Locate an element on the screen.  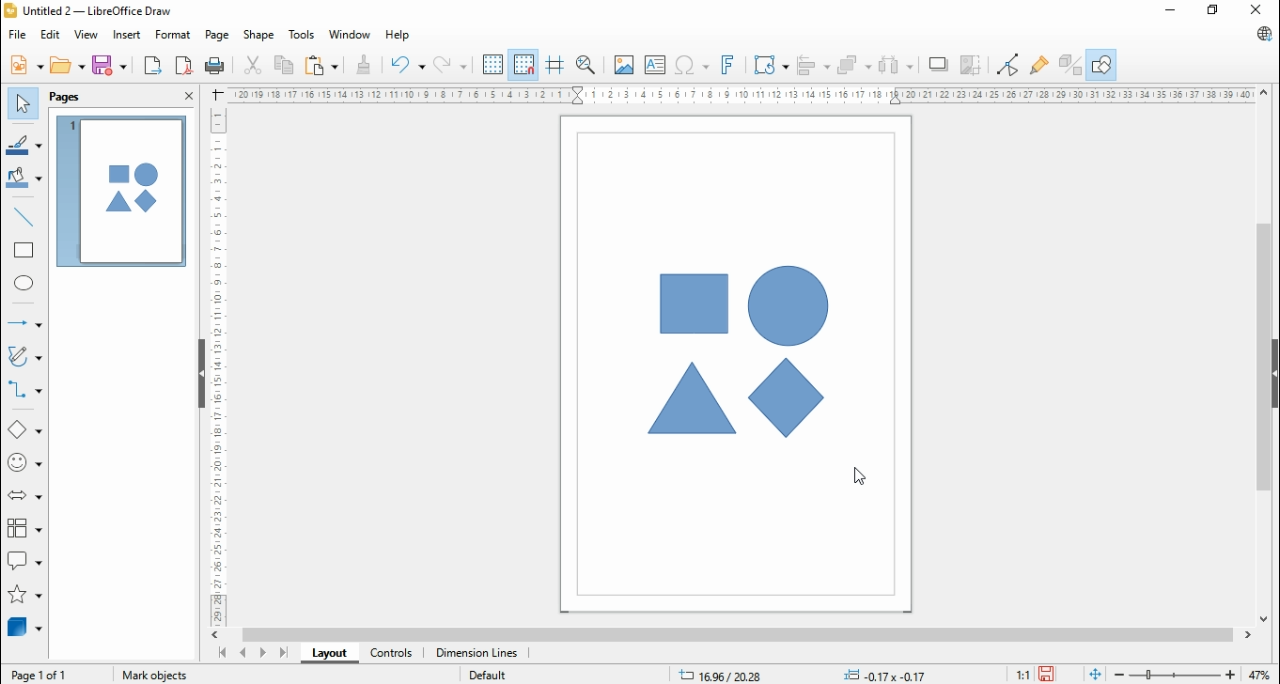
insert textbox is located at coordinates (655, 65).